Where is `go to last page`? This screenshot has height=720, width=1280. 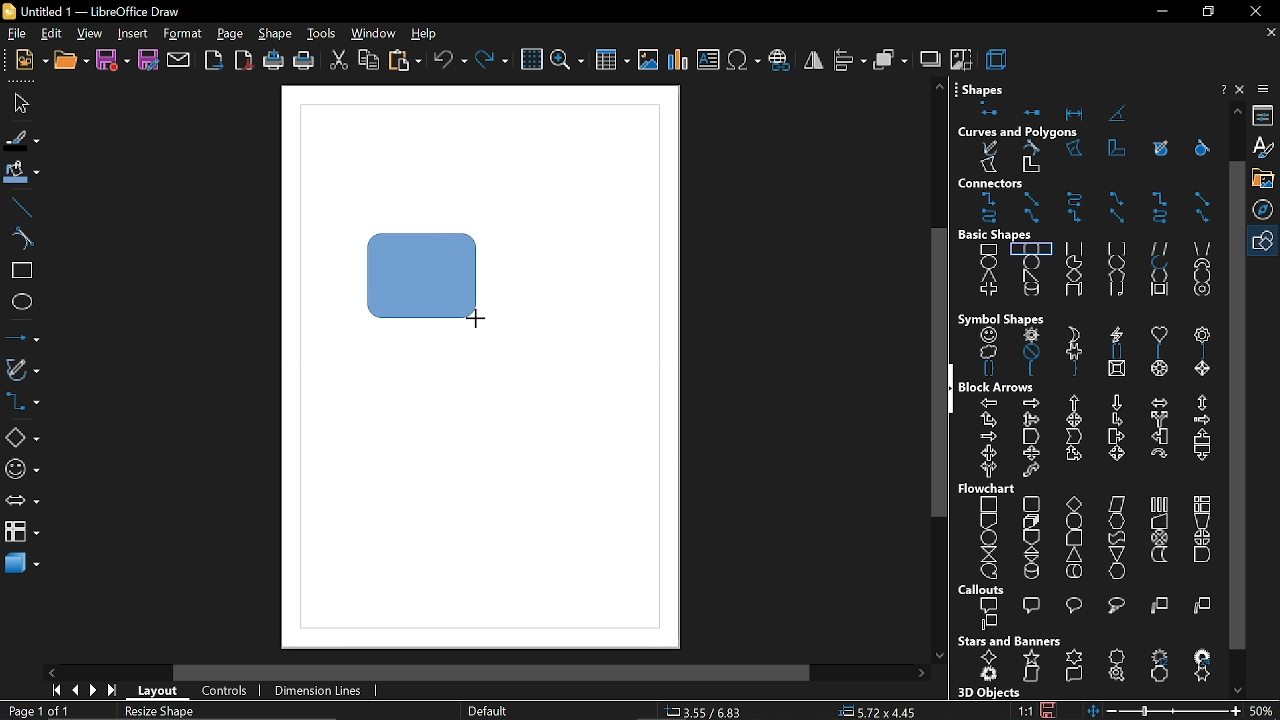
go to last page is located at coordinates (114, 692).